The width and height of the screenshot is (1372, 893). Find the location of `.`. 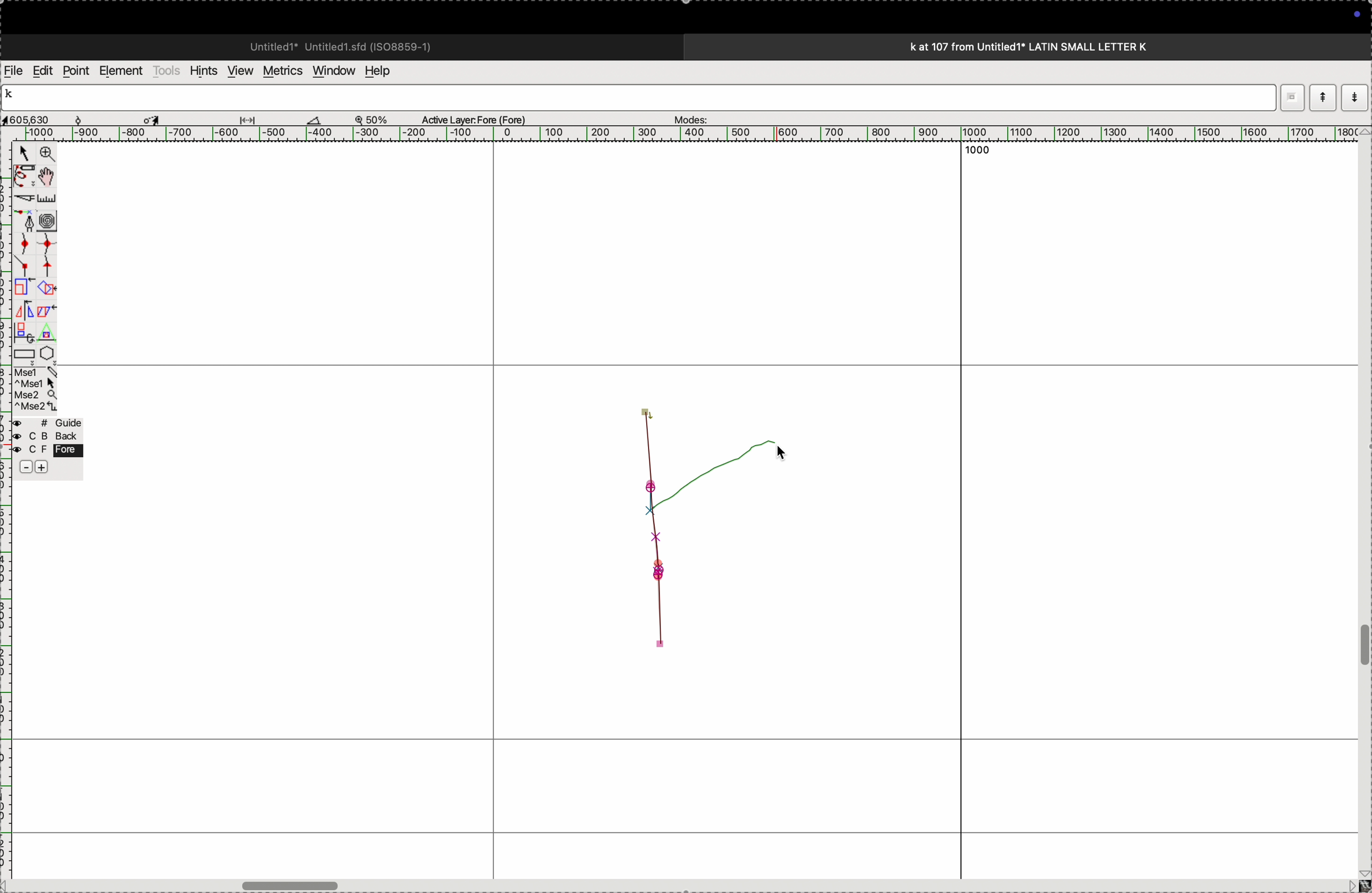

. is located at coordinates (1353, 97).